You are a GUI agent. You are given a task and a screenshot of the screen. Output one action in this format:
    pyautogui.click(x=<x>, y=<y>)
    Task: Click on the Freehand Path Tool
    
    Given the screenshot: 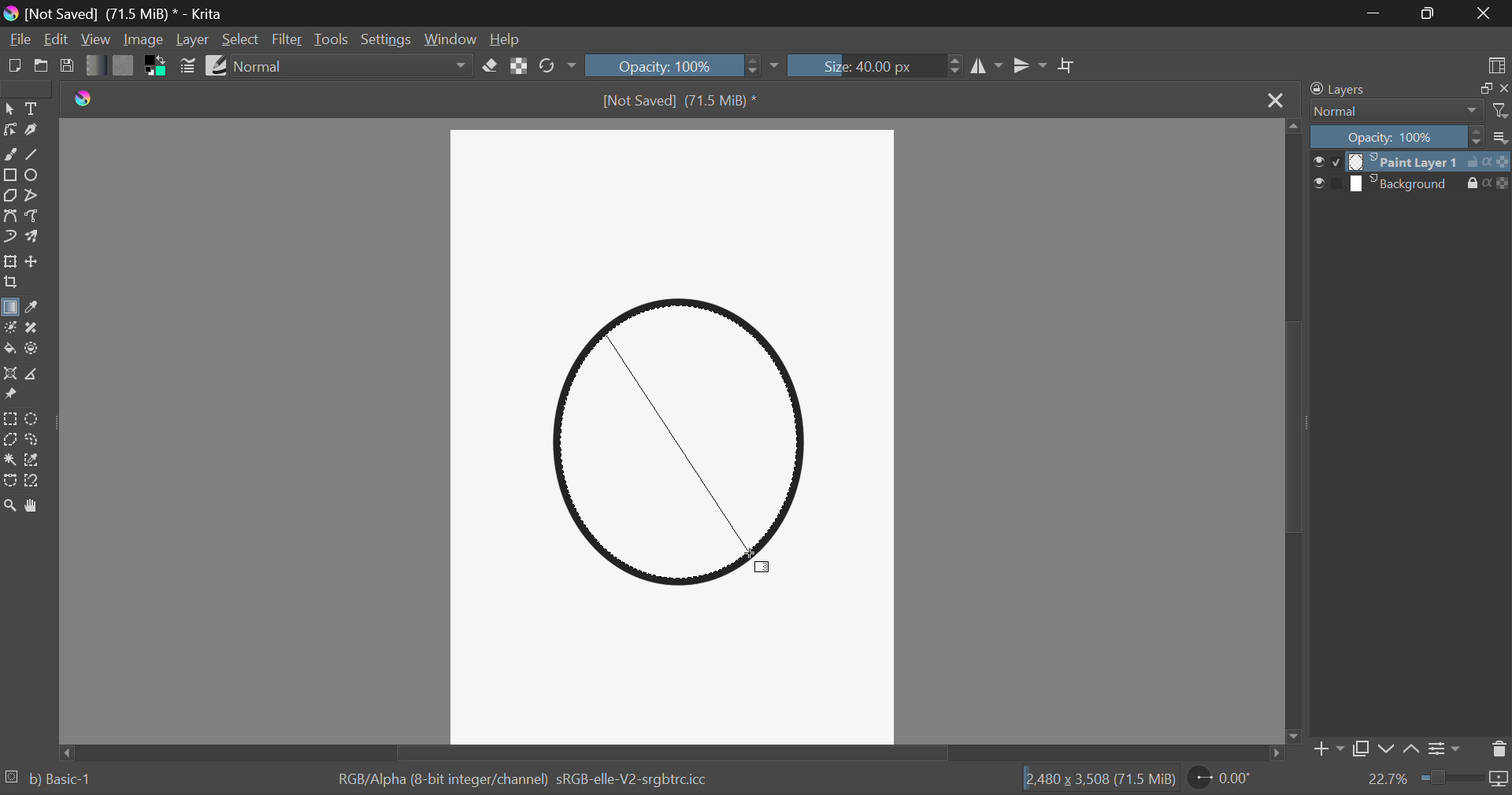 What is the action you would take?
    pyautogui.click(x=35, y=217)
    